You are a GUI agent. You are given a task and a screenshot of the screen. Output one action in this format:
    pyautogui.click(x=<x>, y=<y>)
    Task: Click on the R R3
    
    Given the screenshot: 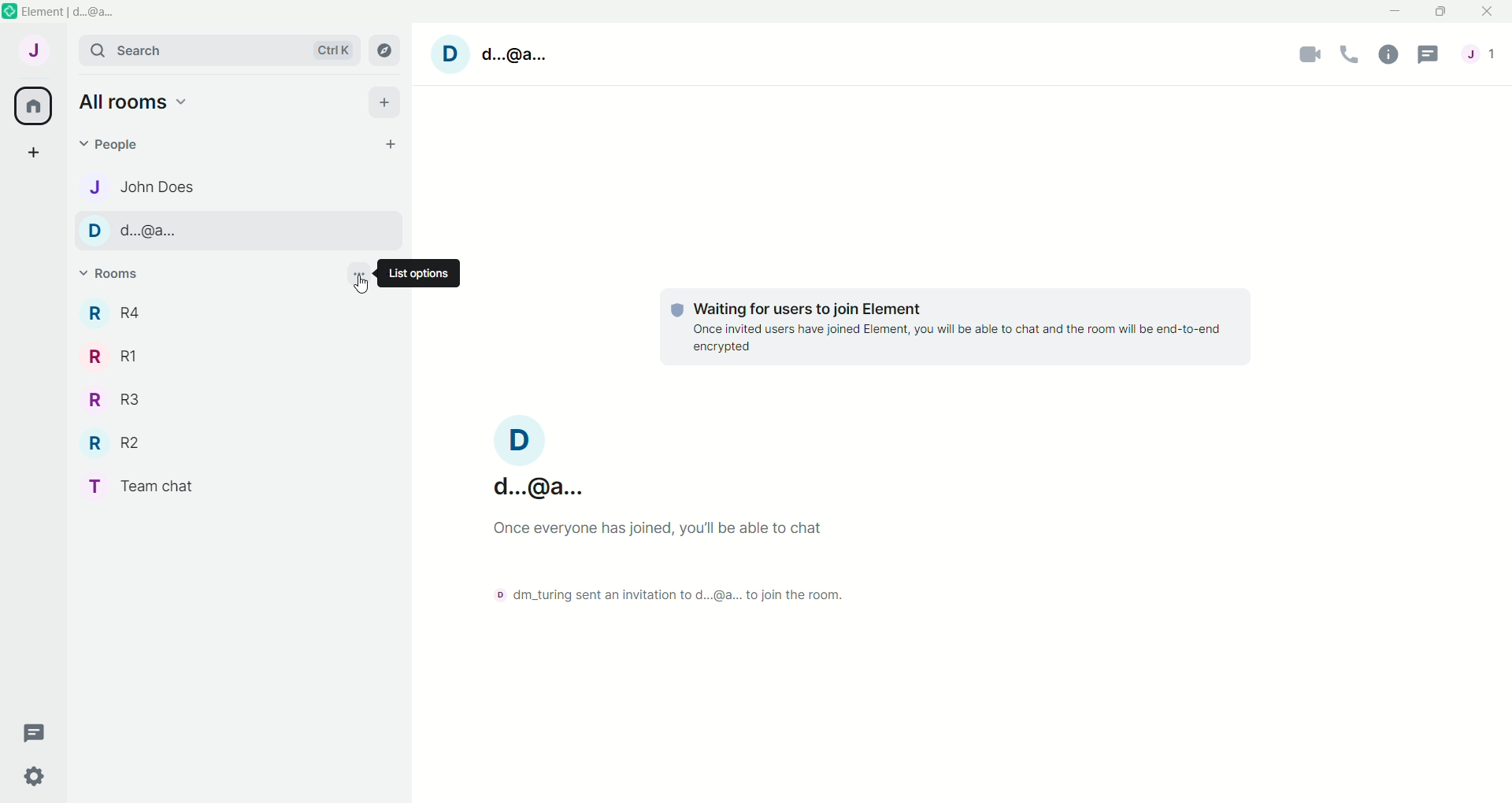 What is the action you would take?
    pyautogui.click(x=131, y=398)
    